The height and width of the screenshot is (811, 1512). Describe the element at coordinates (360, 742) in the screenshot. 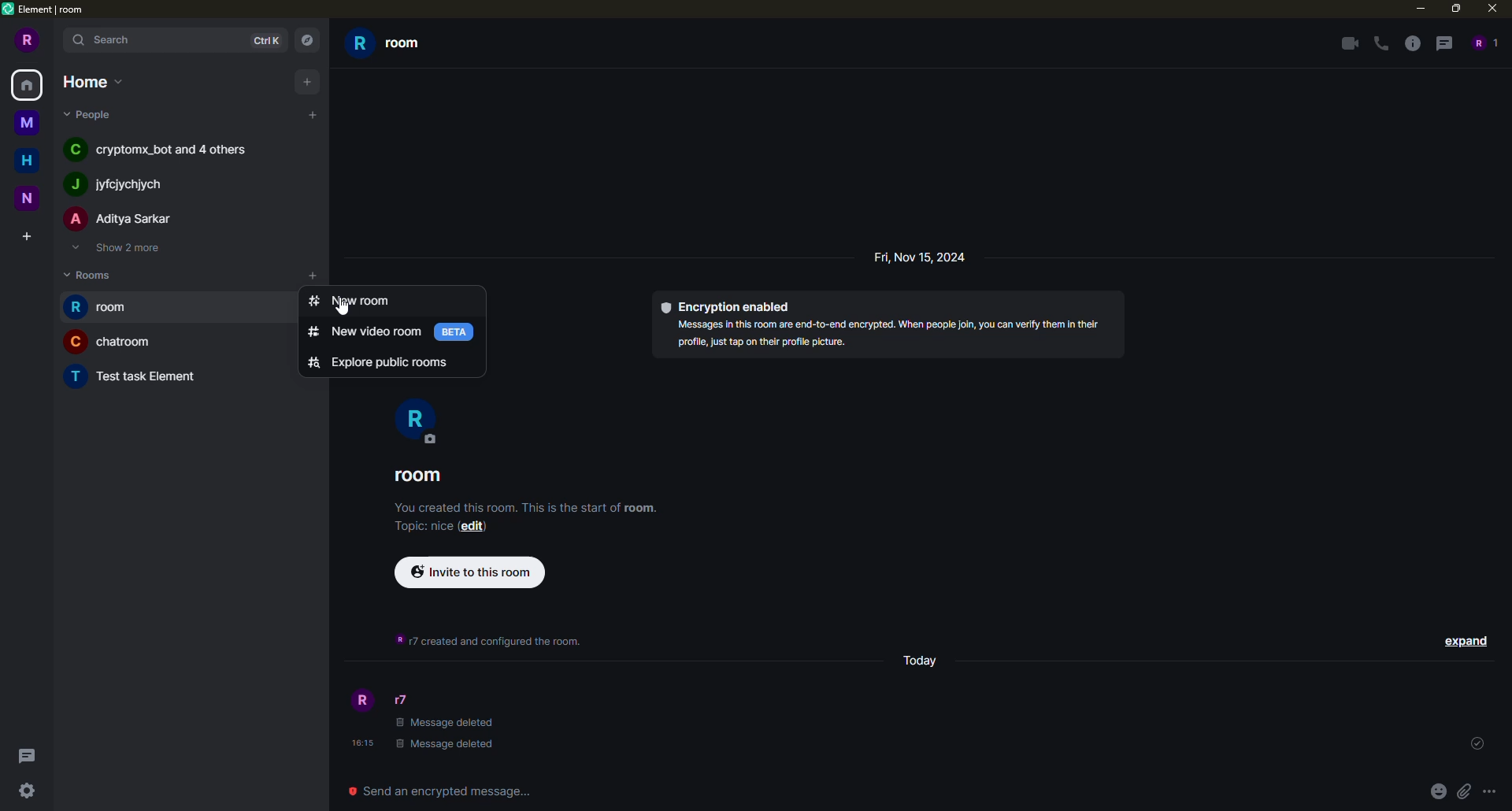

I see `time` at that location.